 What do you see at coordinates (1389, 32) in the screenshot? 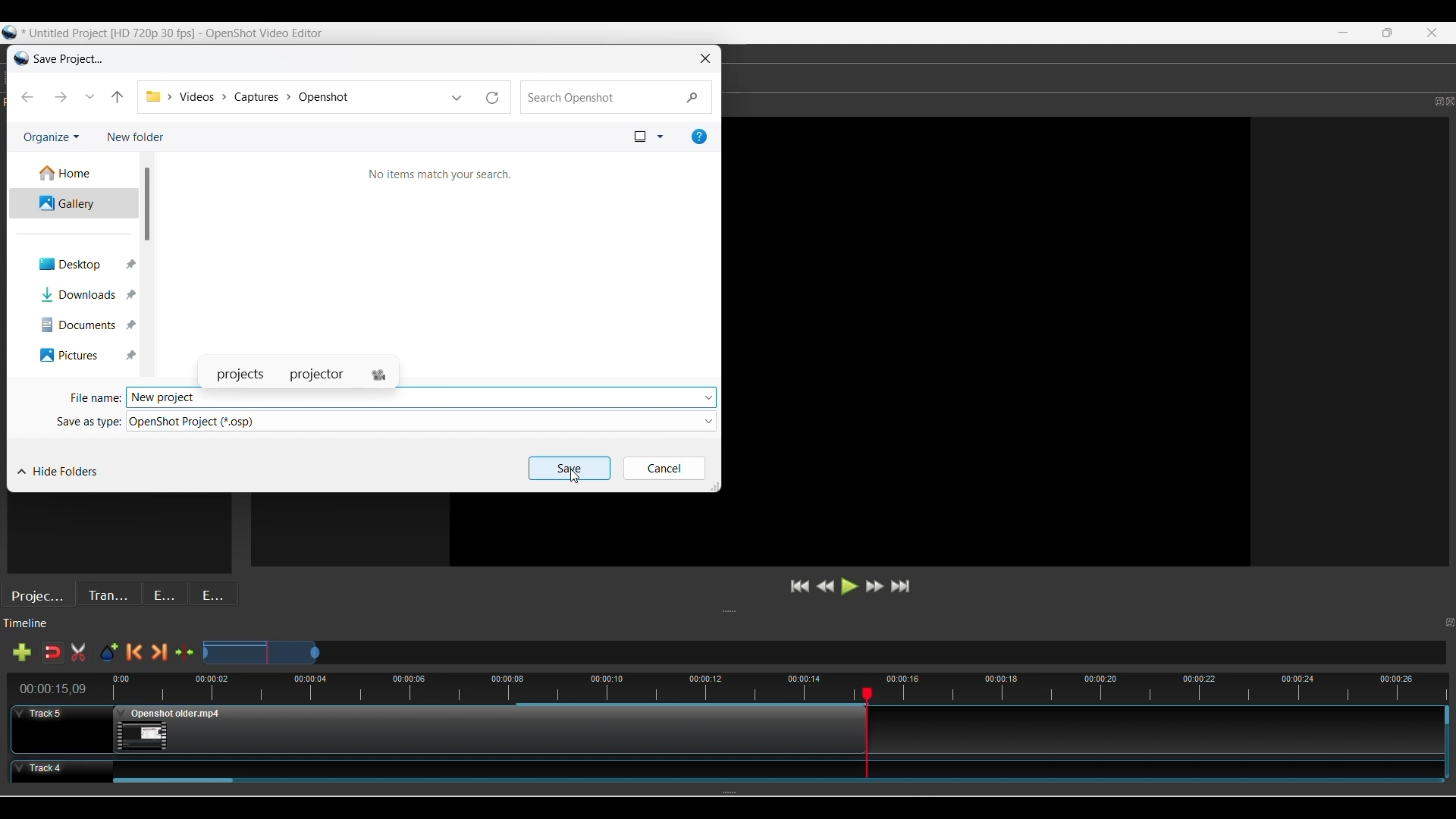
I see `maximize` at bounding box center [1389, 32].